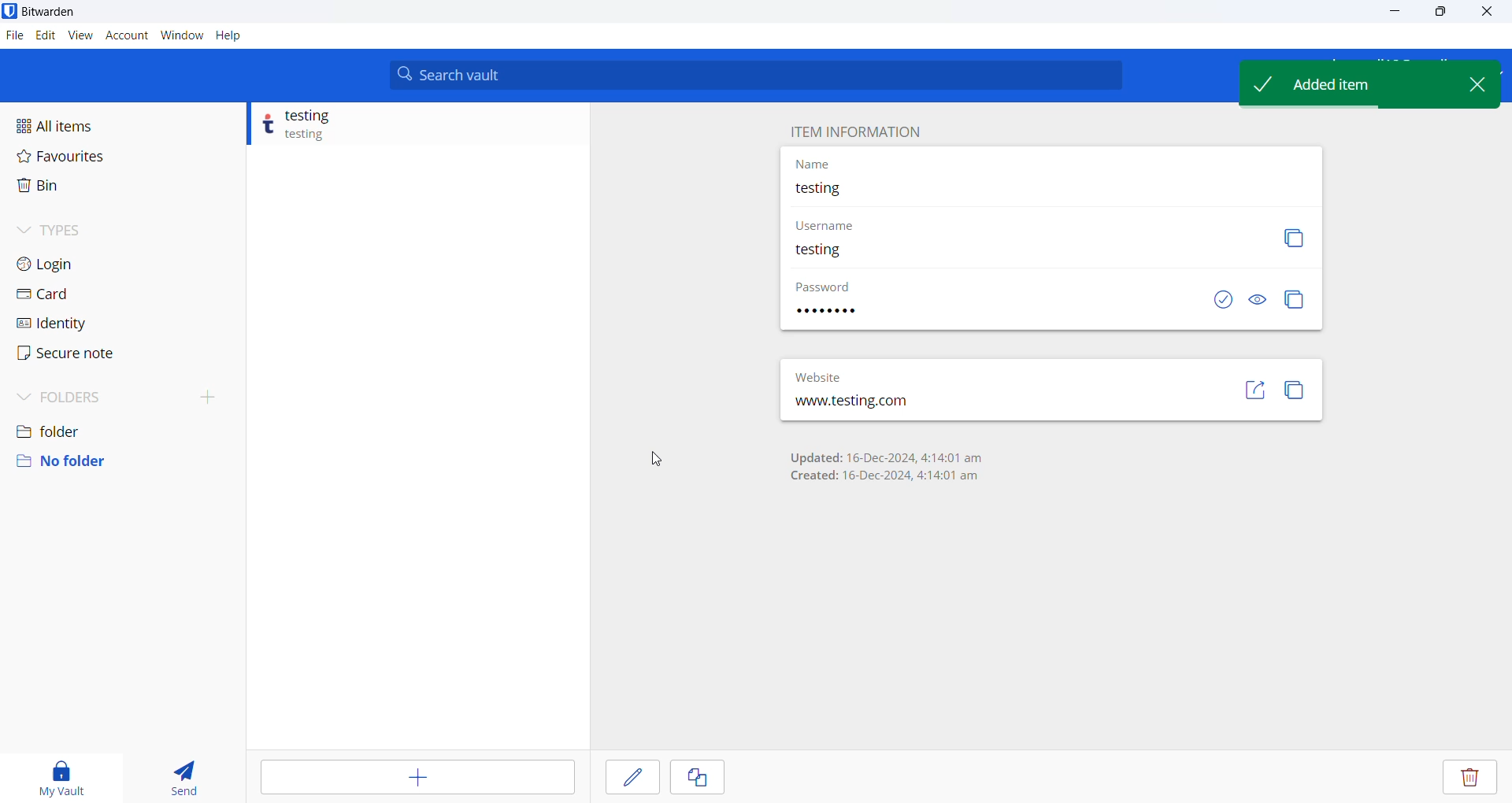 The image size is (1512, 803). What do you see at coordinates (231, 37) in the screenshot?
I see `help` at bounding box center [231, 37].